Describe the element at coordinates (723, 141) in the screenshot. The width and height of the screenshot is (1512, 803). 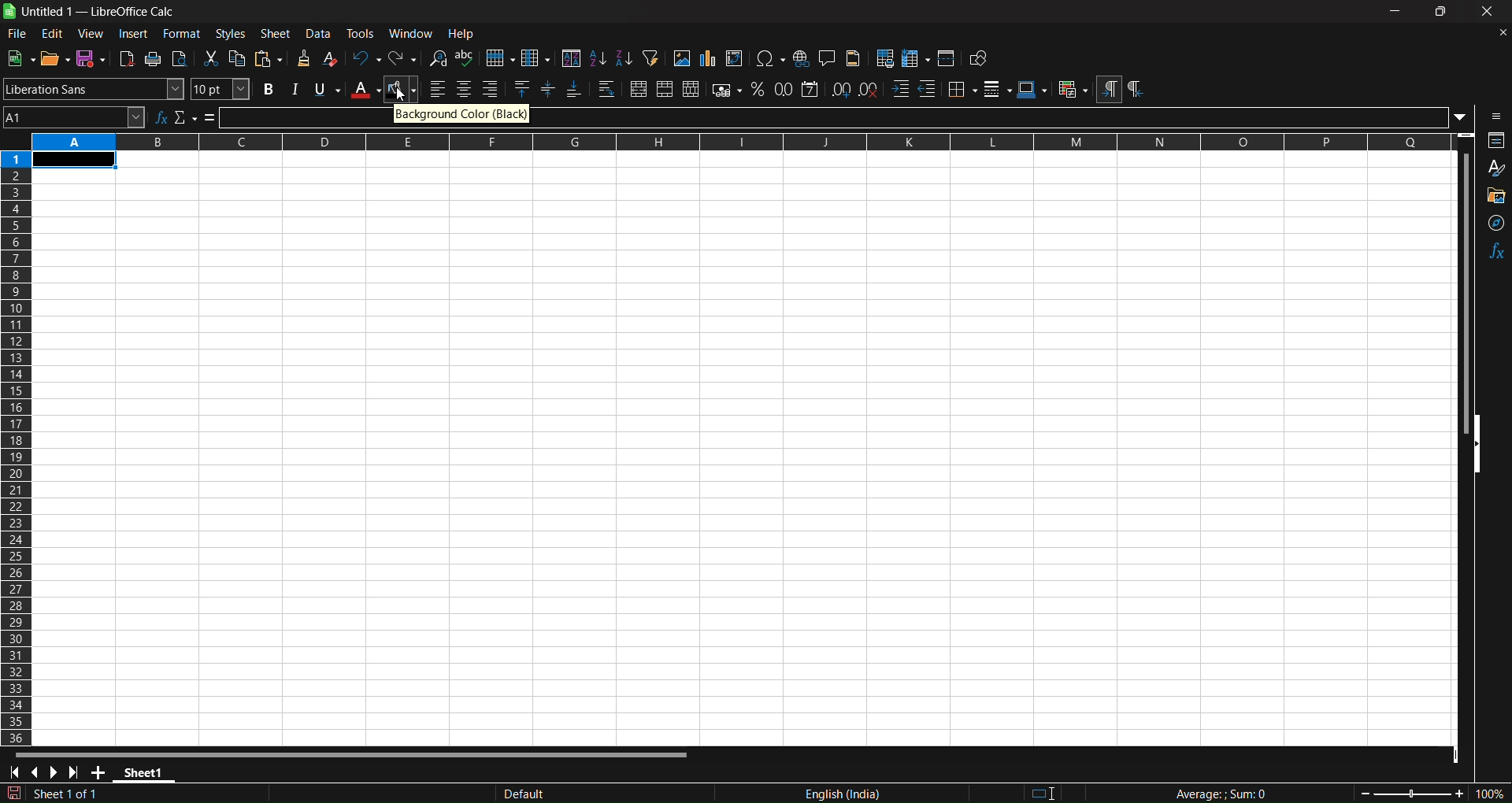
I see `rows` at that location.